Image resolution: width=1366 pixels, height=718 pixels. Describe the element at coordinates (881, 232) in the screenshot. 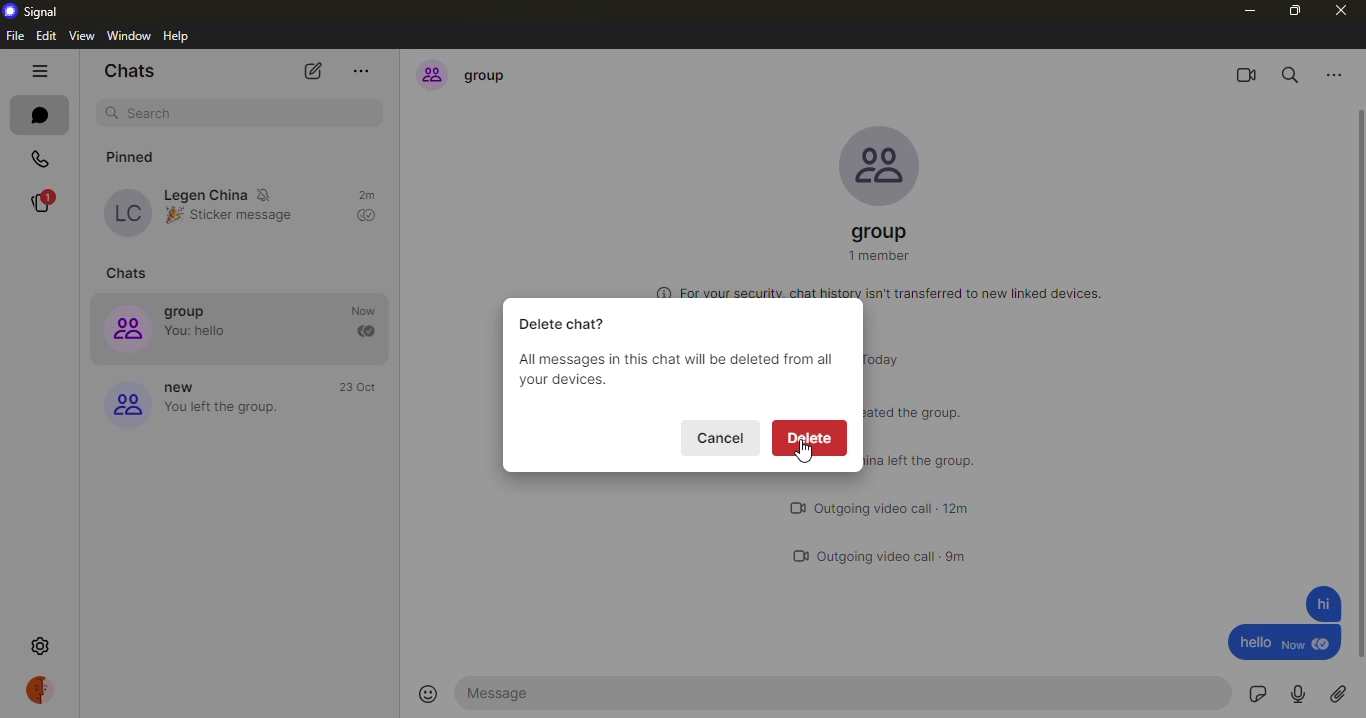

I see `group` at that location.